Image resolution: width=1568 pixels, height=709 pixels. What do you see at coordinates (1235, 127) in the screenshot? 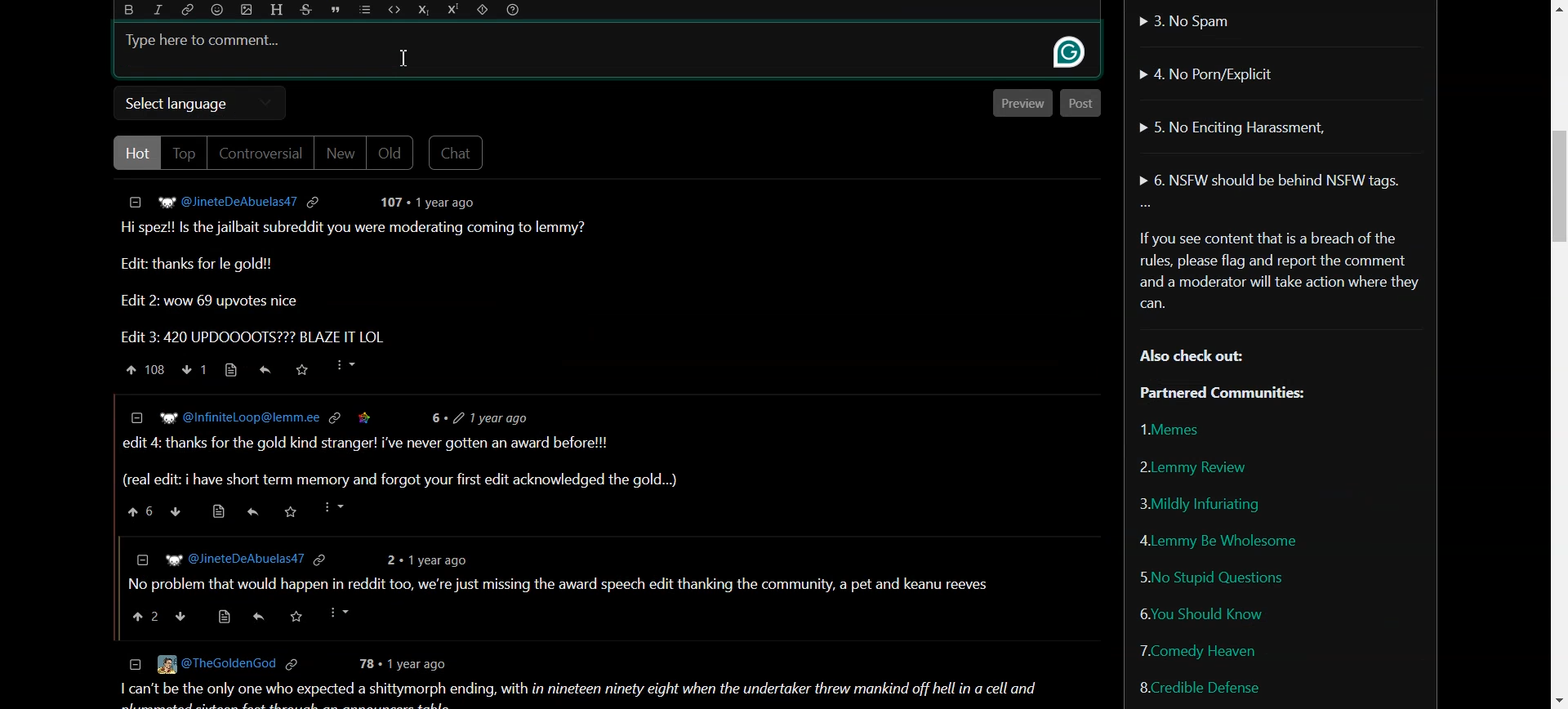
I see `No Enciting Harassment,` at bounding box center [1235, 127].